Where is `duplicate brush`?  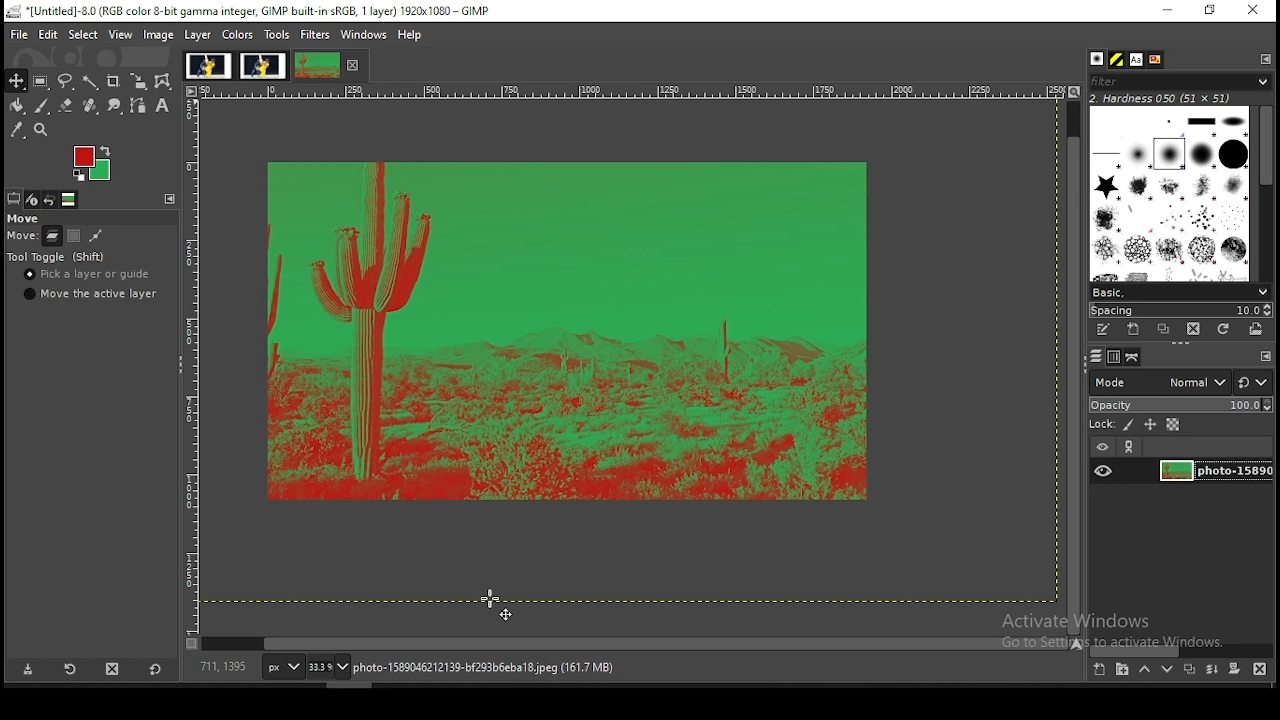
duplicate brush is located at coordinates (1163, 330).